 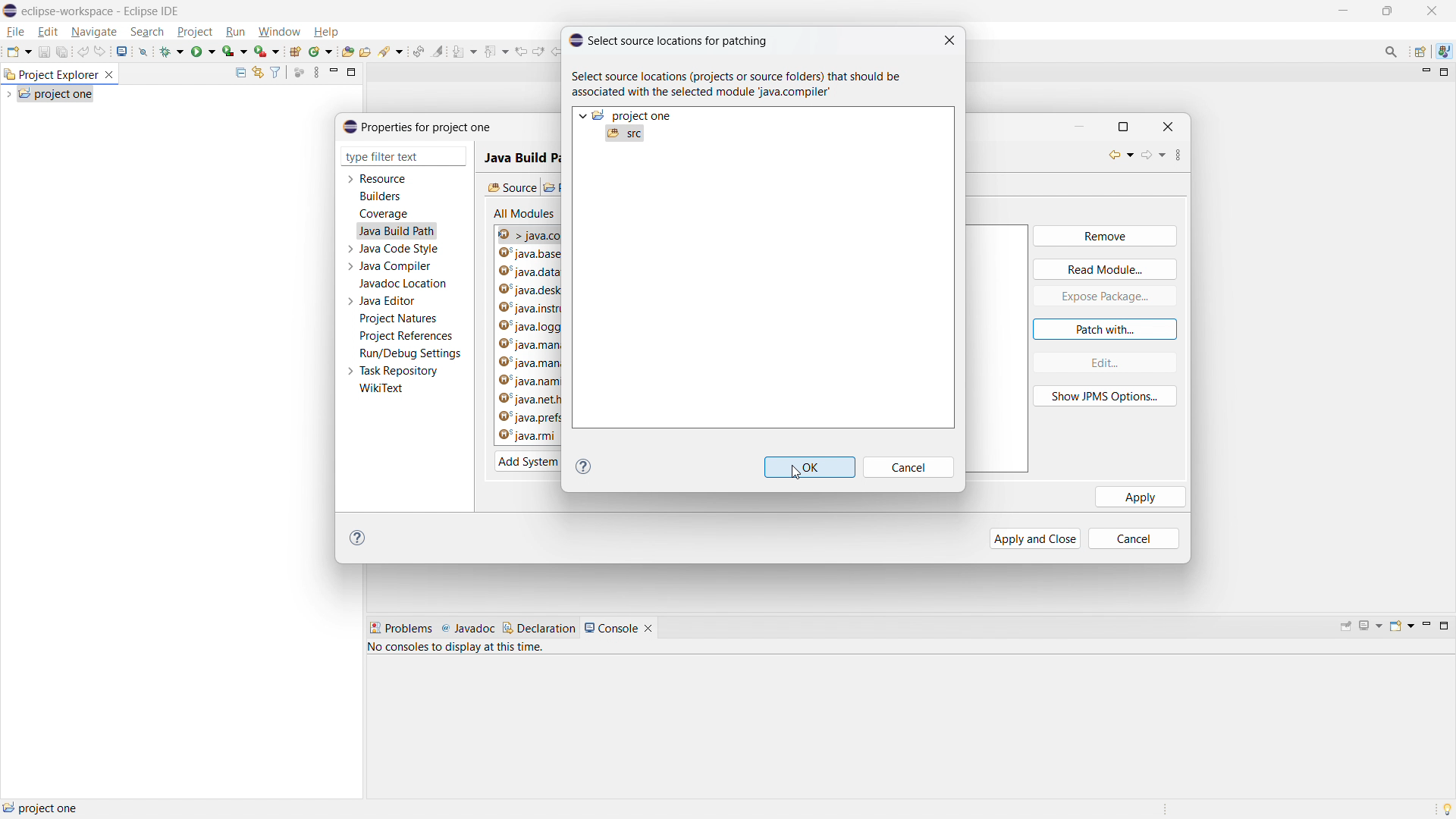 I want to click on project one, so click(x=42, y=808).